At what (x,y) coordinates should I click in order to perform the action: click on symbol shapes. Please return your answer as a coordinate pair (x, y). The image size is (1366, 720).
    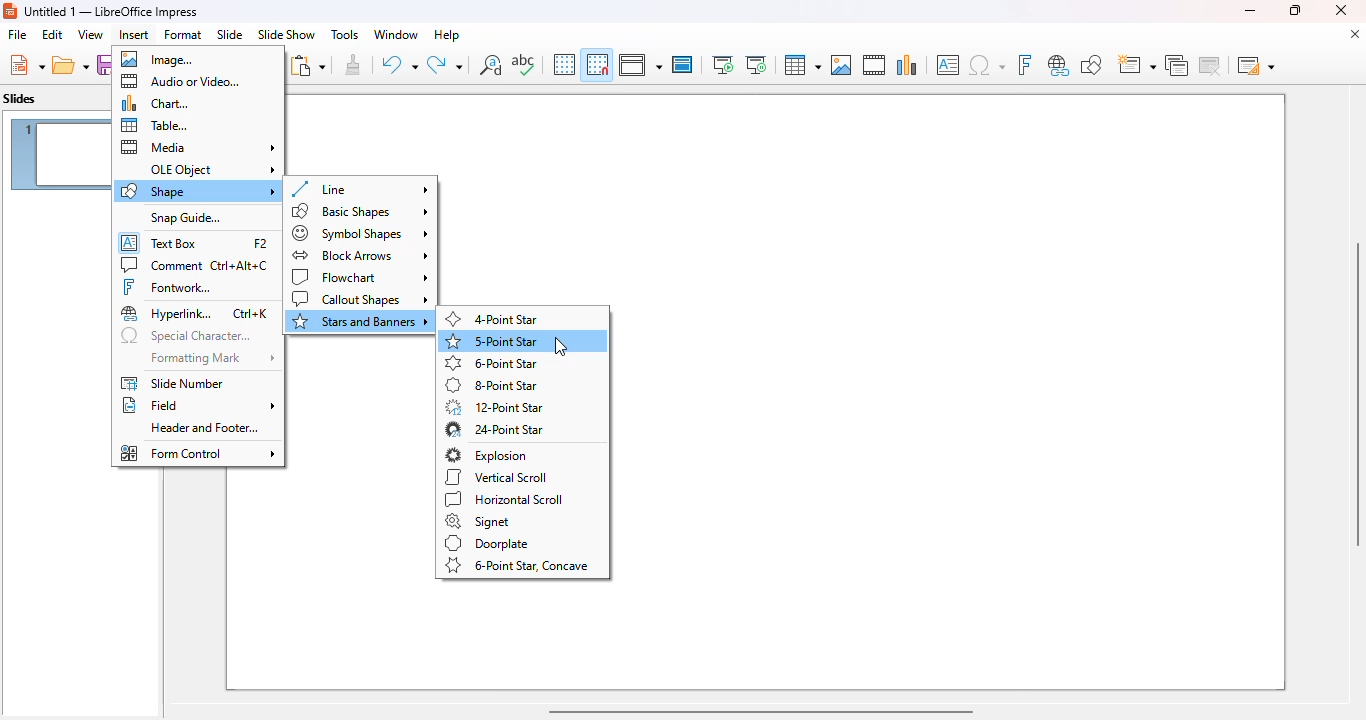
    Looking at the image, I should click on (361, 233).